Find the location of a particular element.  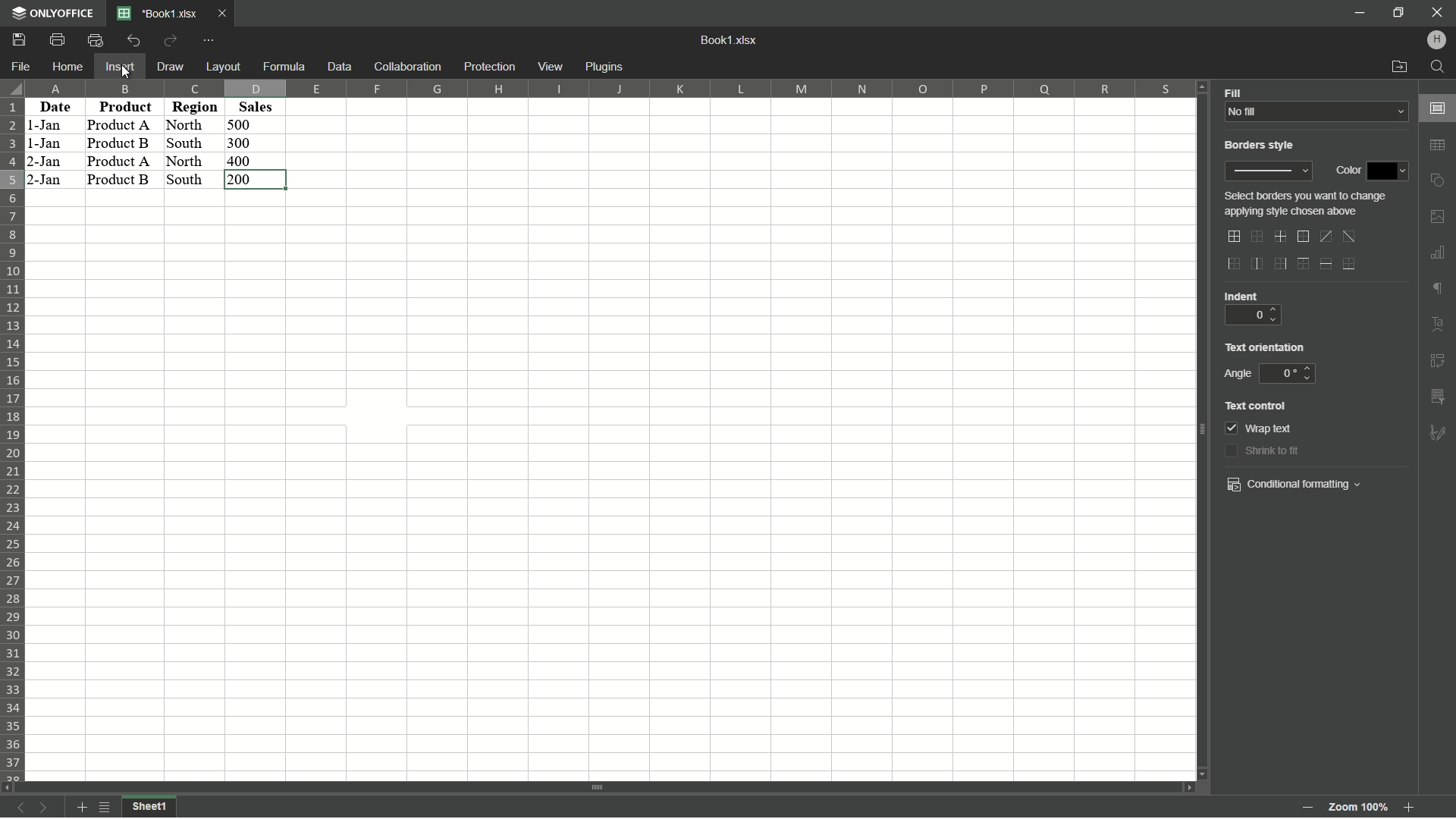

outer border only is located at coordinates (1304, 237).